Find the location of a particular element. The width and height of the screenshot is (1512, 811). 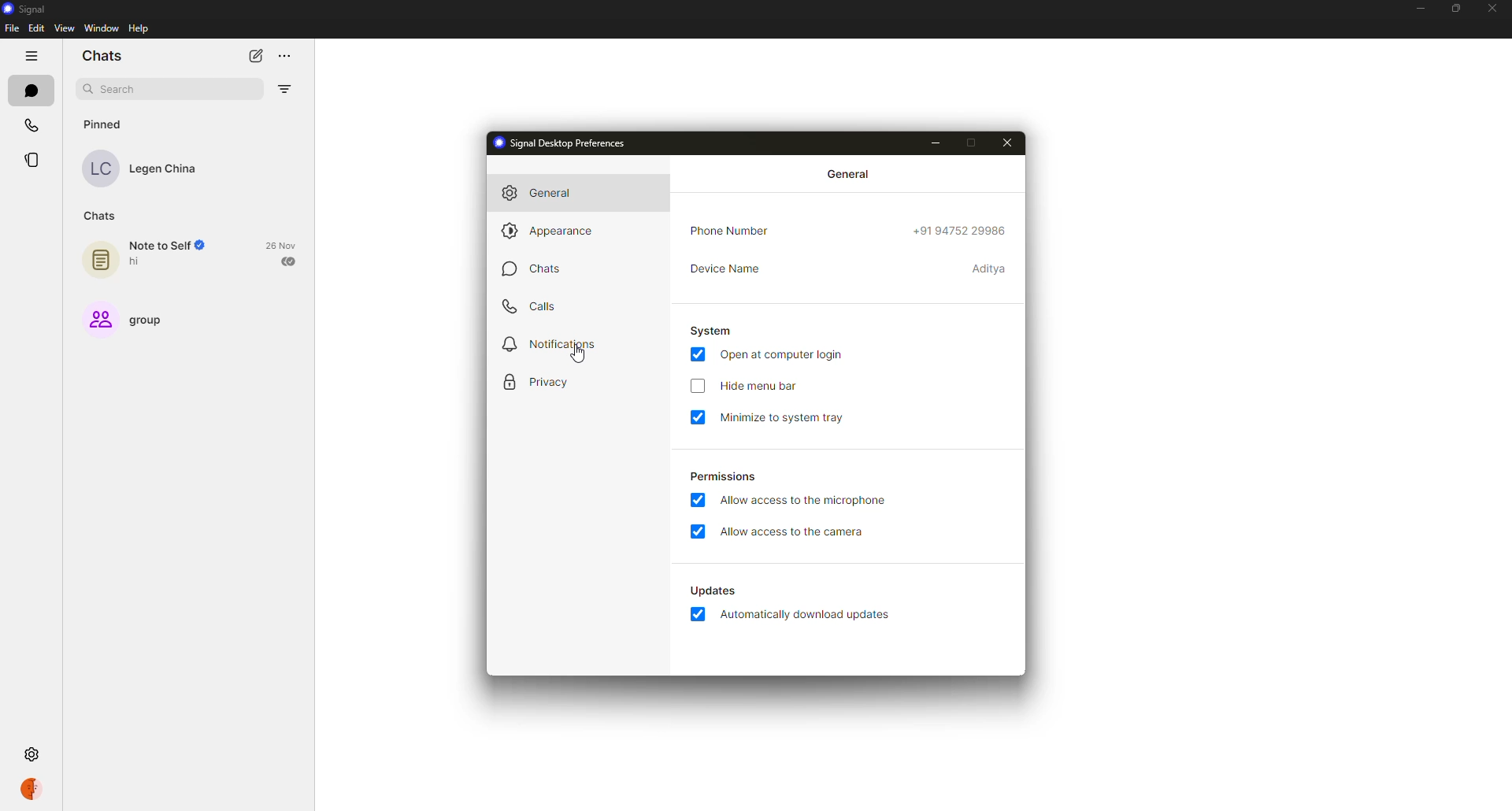

file is located at coordinates (12, 29).